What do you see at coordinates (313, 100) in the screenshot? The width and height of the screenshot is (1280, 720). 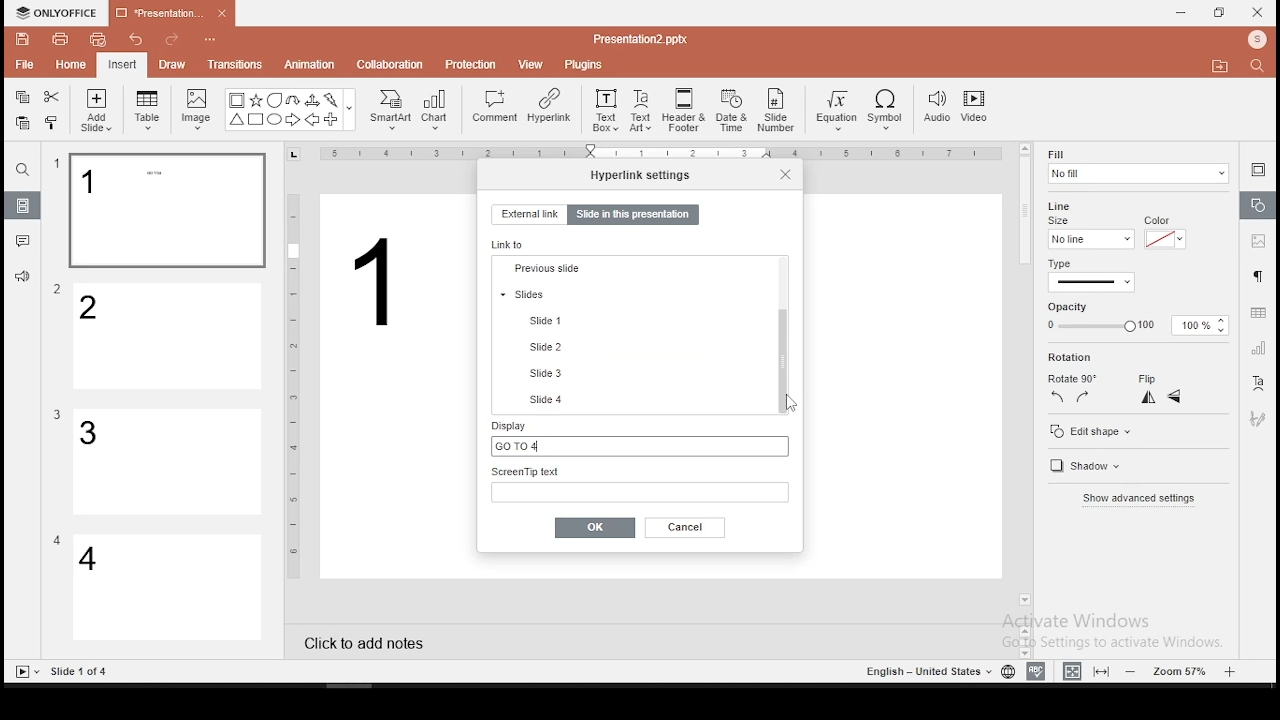 I see `Arrow triways` at bounding box center [313, 100].